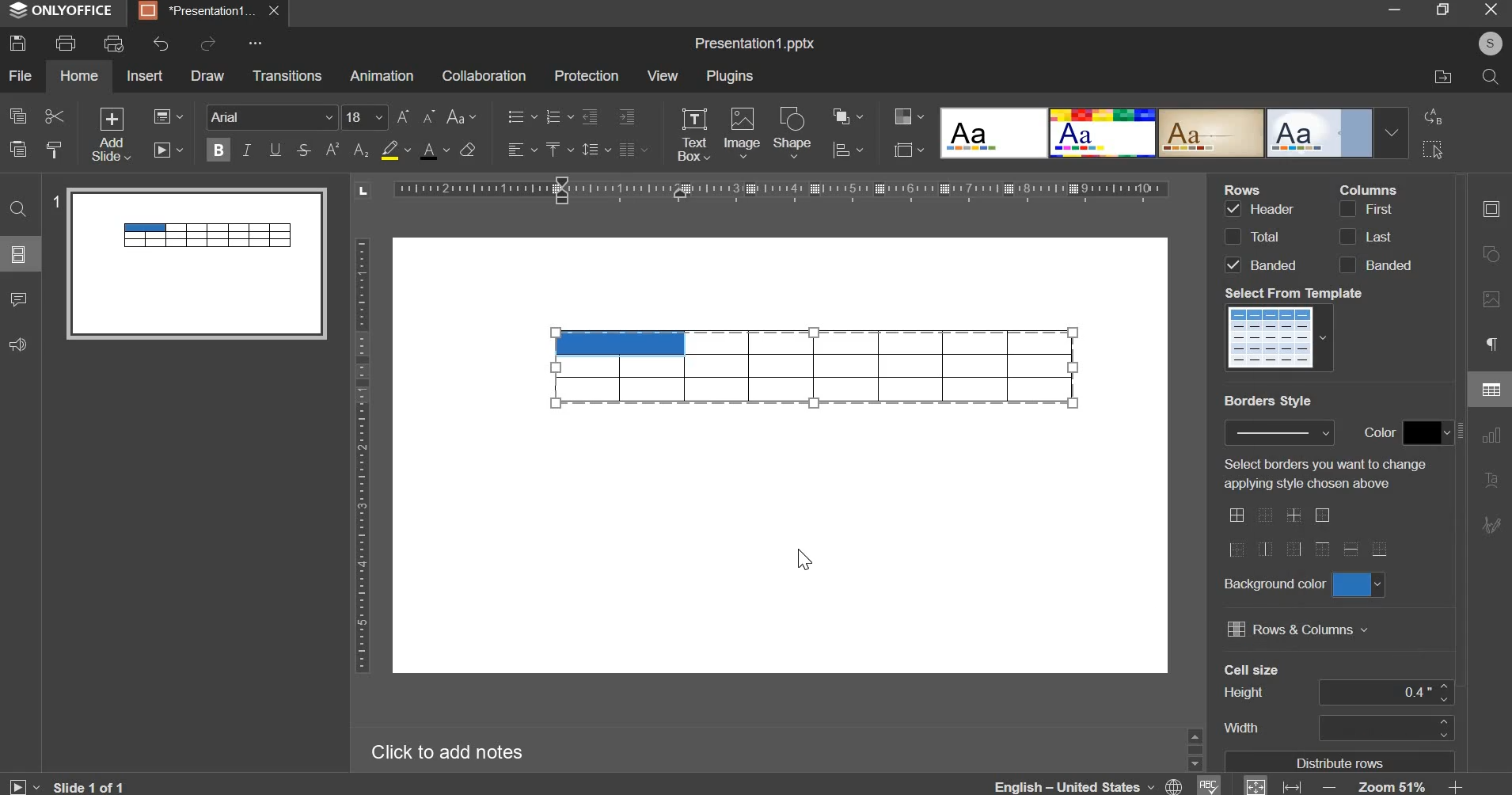 This screenshot has height=795, width=1512. Describe the element at coordinates (906, 116) in the screenshot. I see `design color` at that location.